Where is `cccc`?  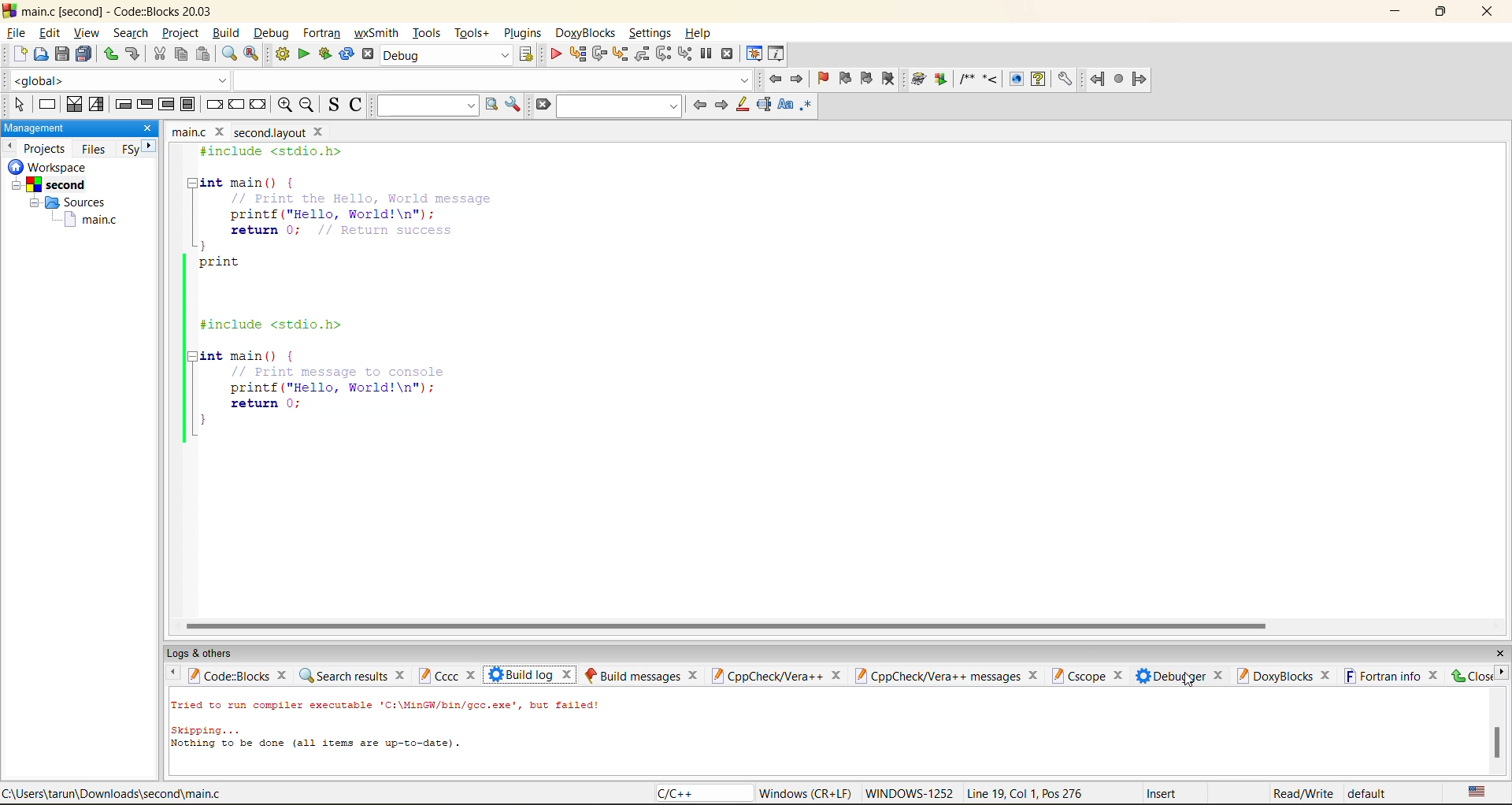
cccc is located at coordinates (447, 674).